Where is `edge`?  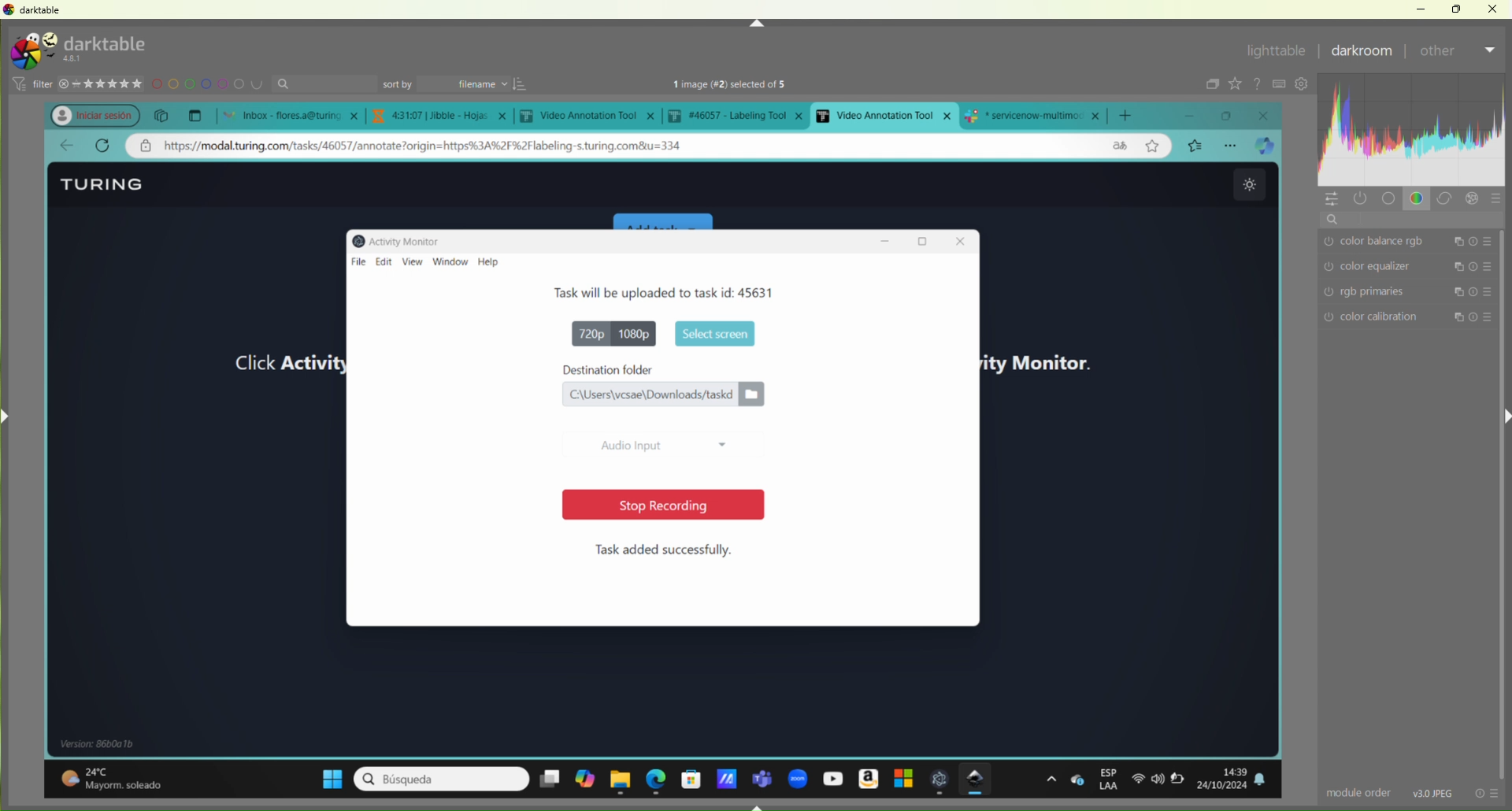 edge is located at coordinates (657, 778).